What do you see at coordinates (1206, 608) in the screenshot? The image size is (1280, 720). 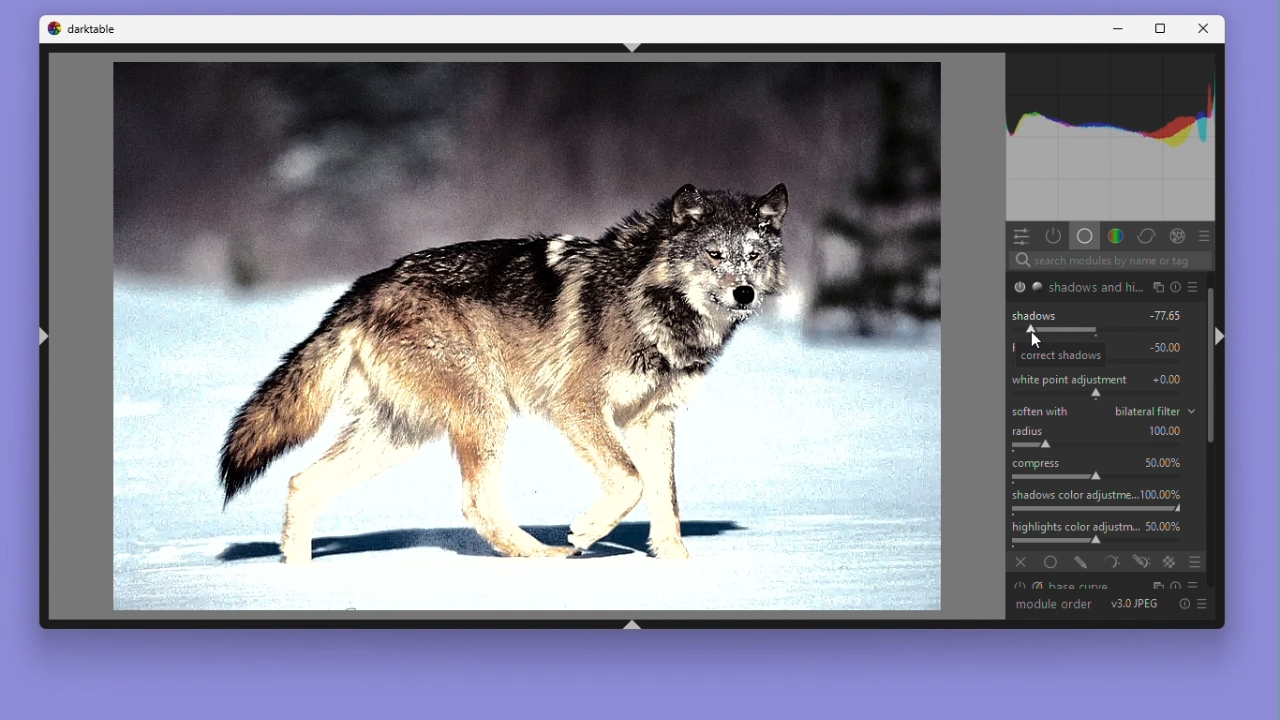 I see `presets and preferences` at bounding box center [1206, 608].